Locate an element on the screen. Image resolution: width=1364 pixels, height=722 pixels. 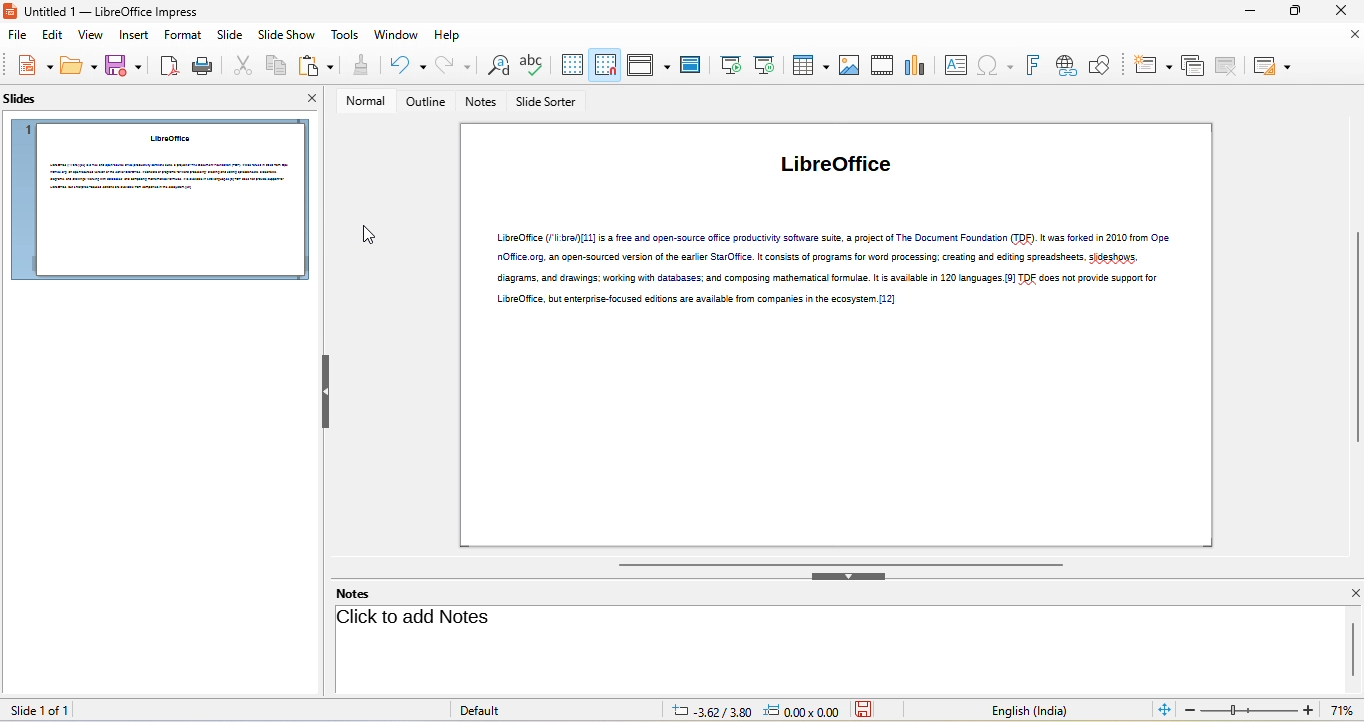
minimize is located at coordinates (1253, 12).